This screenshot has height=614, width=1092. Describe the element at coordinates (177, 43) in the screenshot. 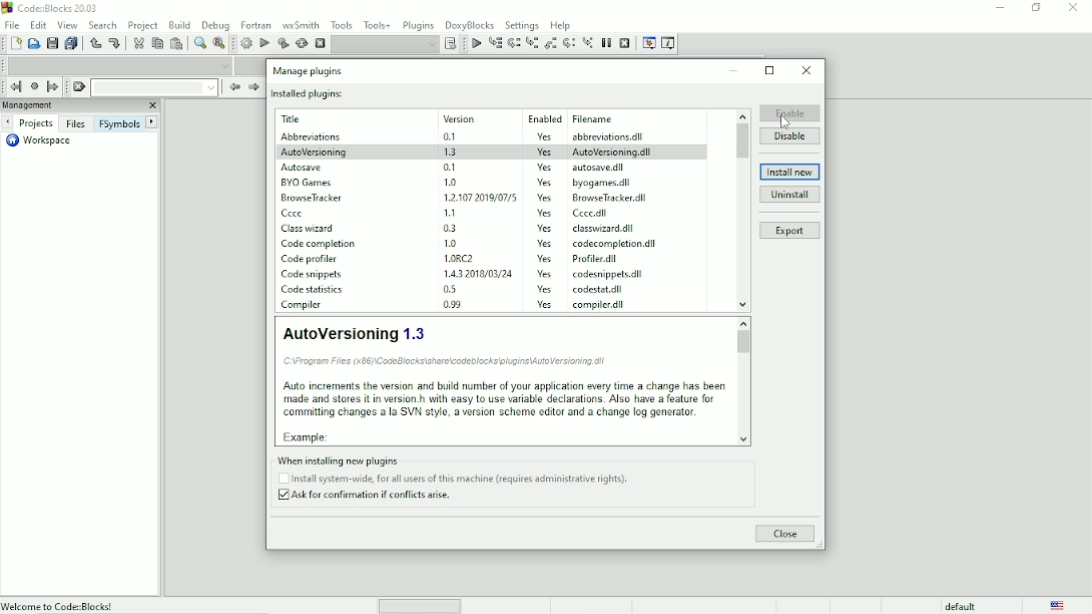

I see `Paste` at that location.